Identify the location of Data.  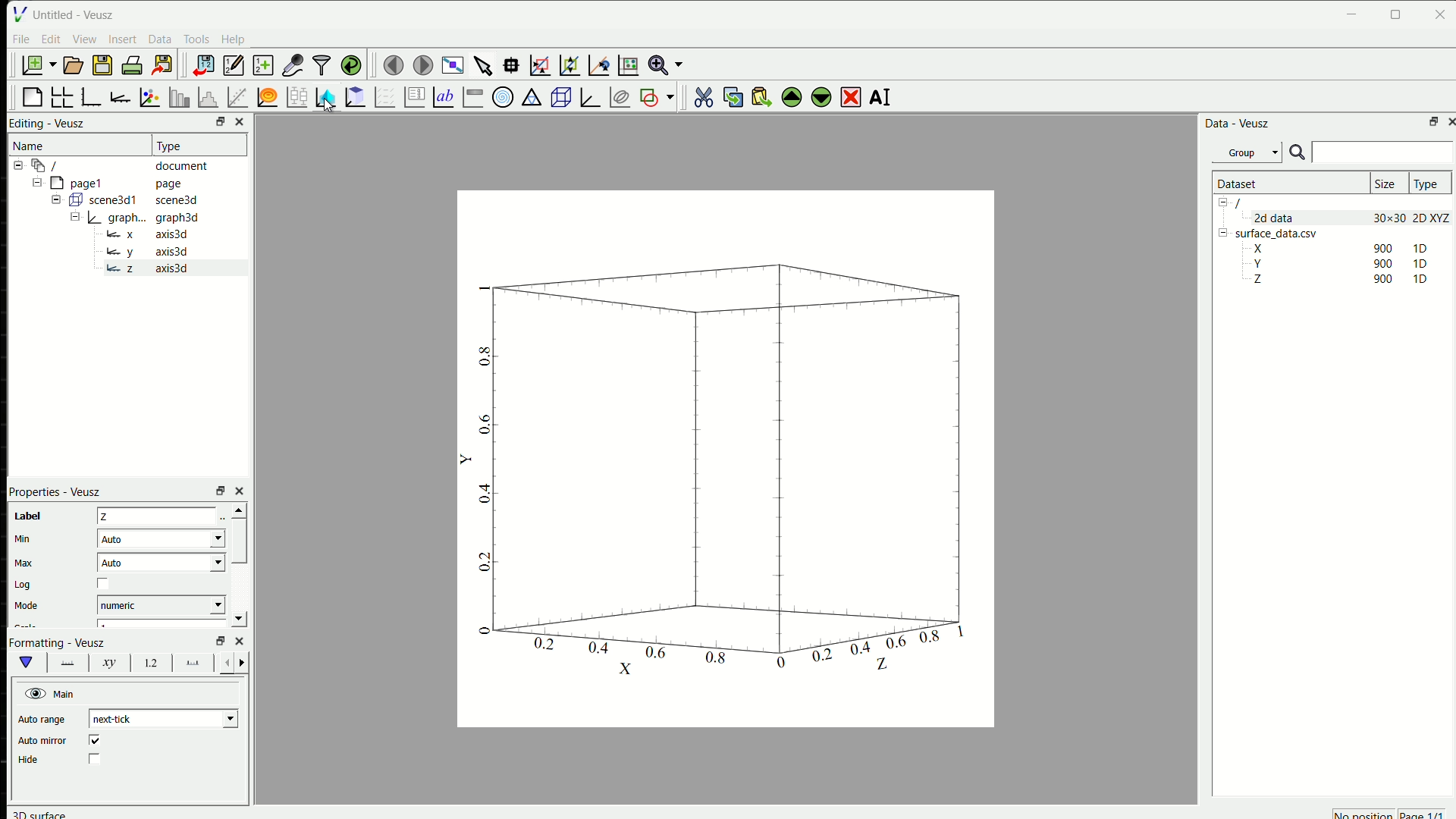
(162, 39).